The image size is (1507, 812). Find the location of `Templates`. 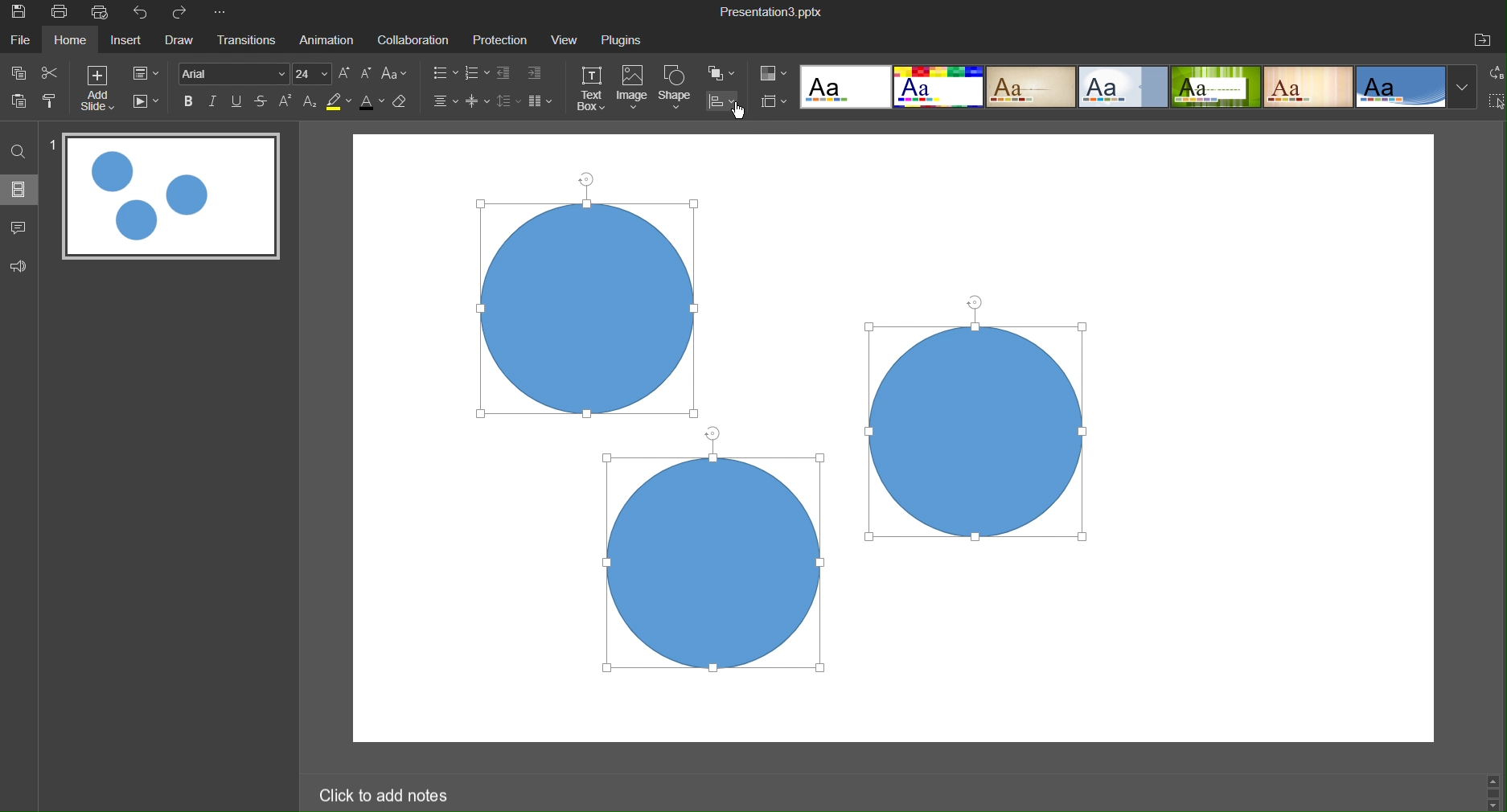

Templates is located at coordinates (1138, 90).